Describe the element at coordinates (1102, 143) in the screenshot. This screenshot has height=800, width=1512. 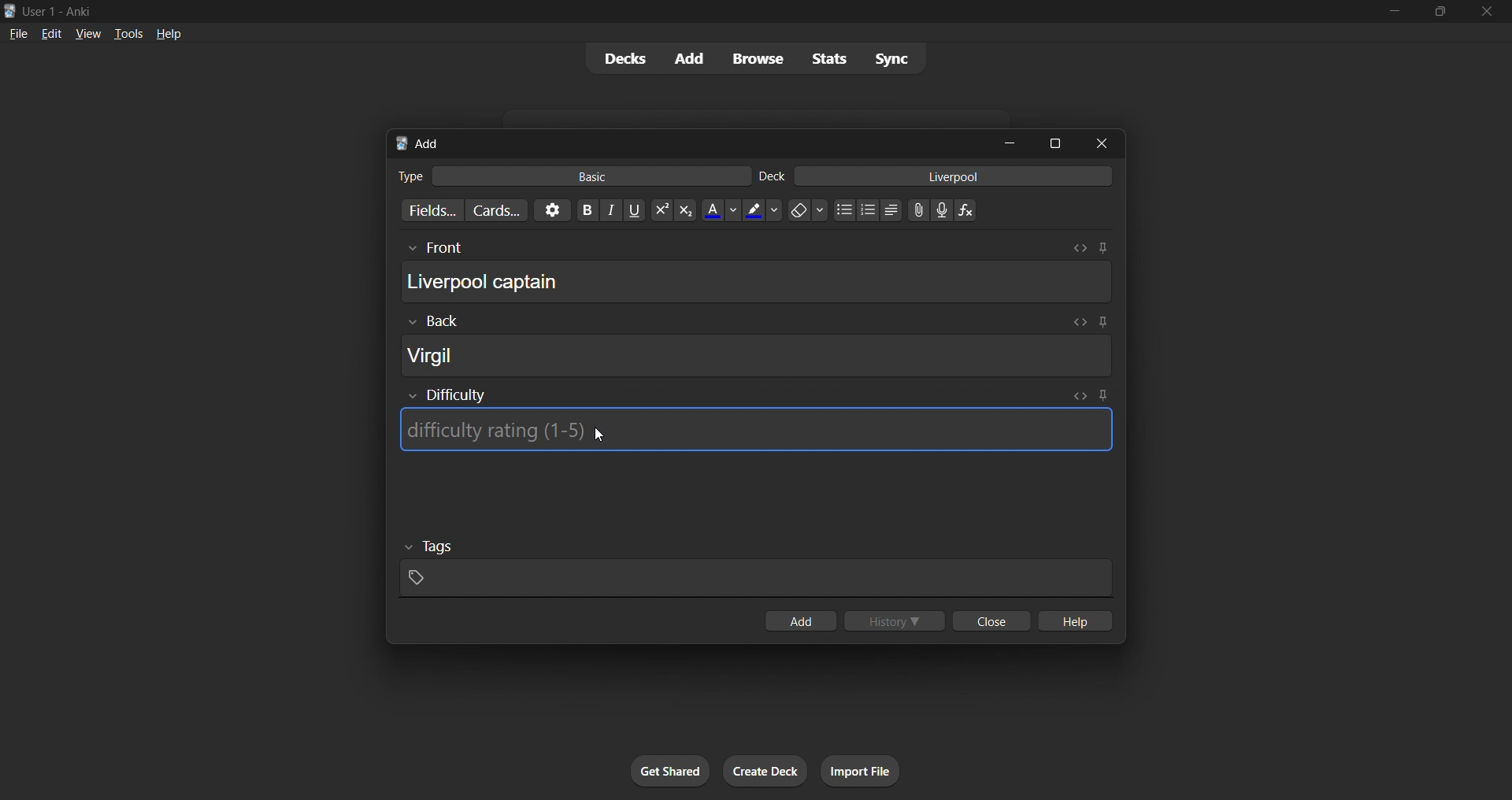
I see `close` at that location.